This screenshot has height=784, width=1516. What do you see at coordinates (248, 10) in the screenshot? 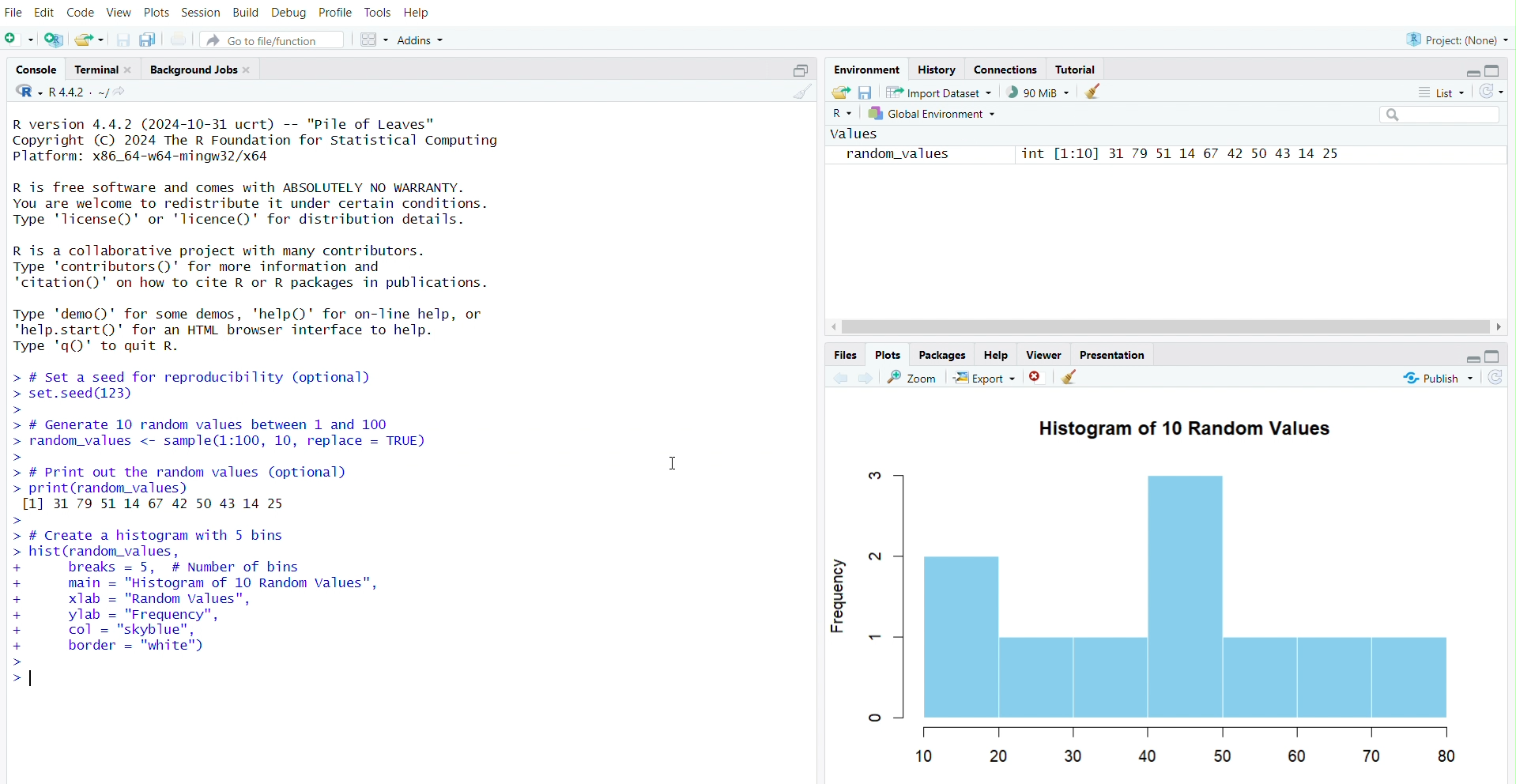
I see `build` at bounding box center [248, 10].